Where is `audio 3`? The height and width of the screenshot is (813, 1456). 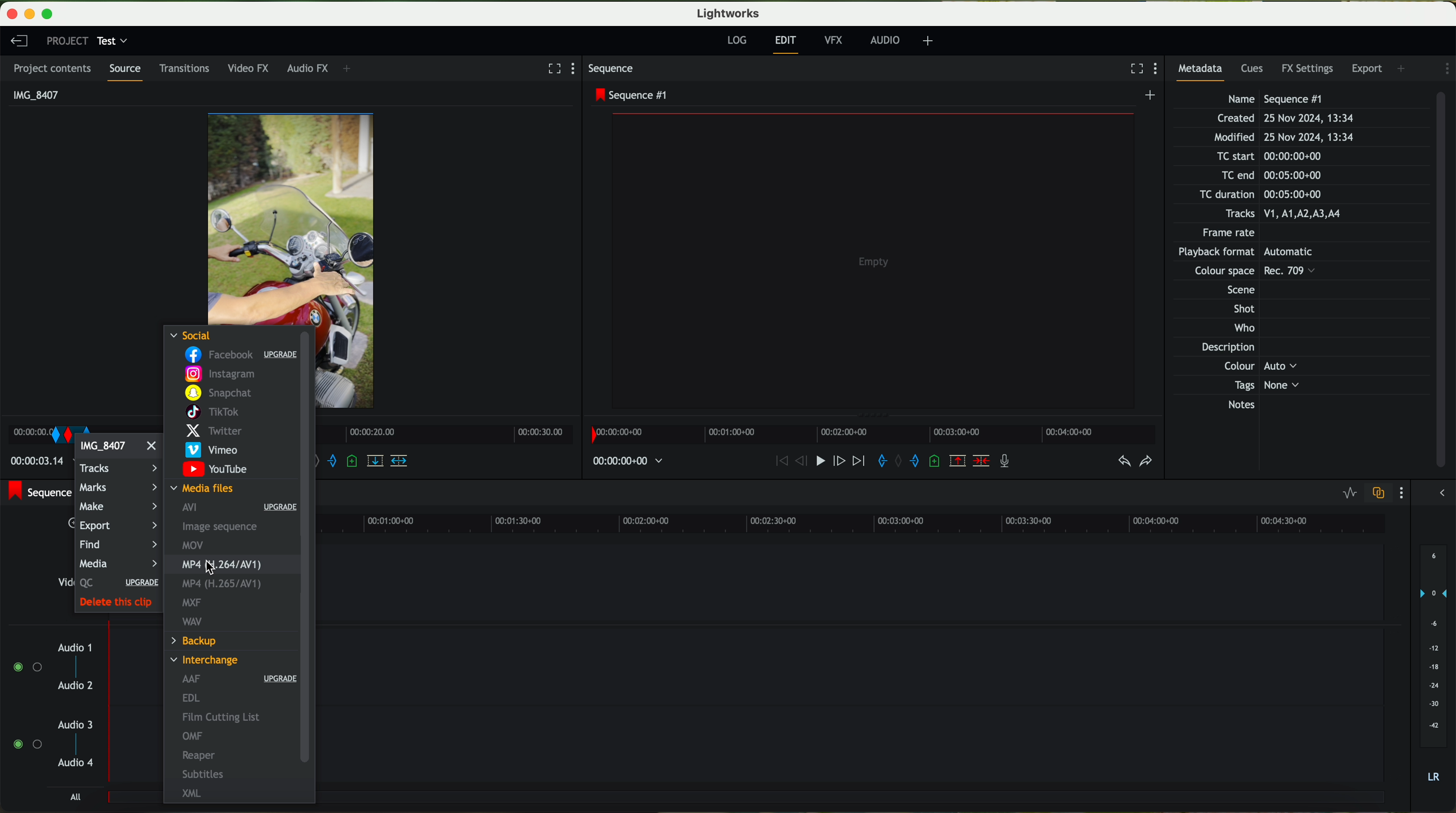 audio 3 is located at coordinates (76, 724).